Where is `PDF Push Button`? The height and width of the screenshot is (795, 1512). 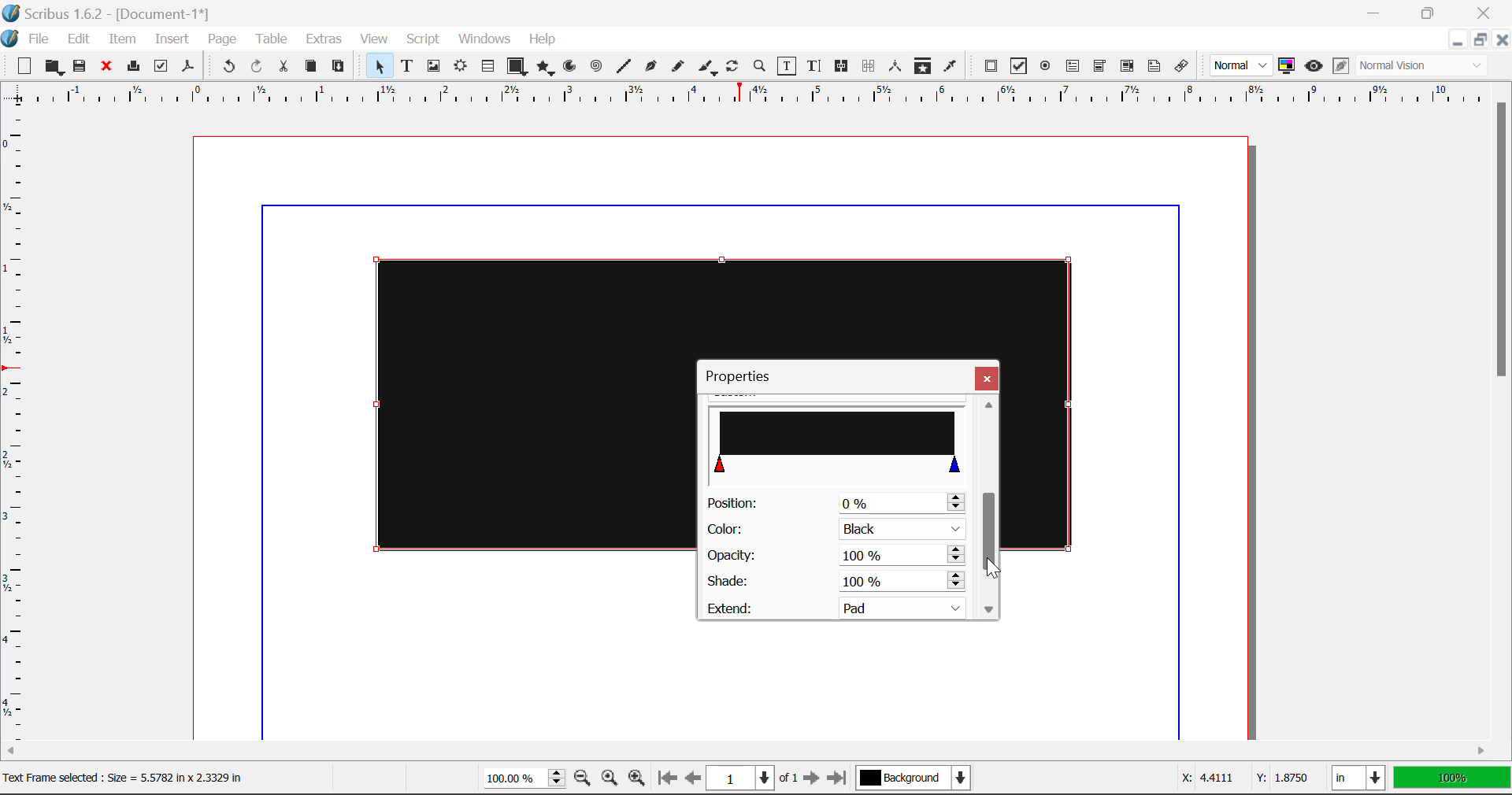
PDF Push Button is located at coordinates (991, 65).